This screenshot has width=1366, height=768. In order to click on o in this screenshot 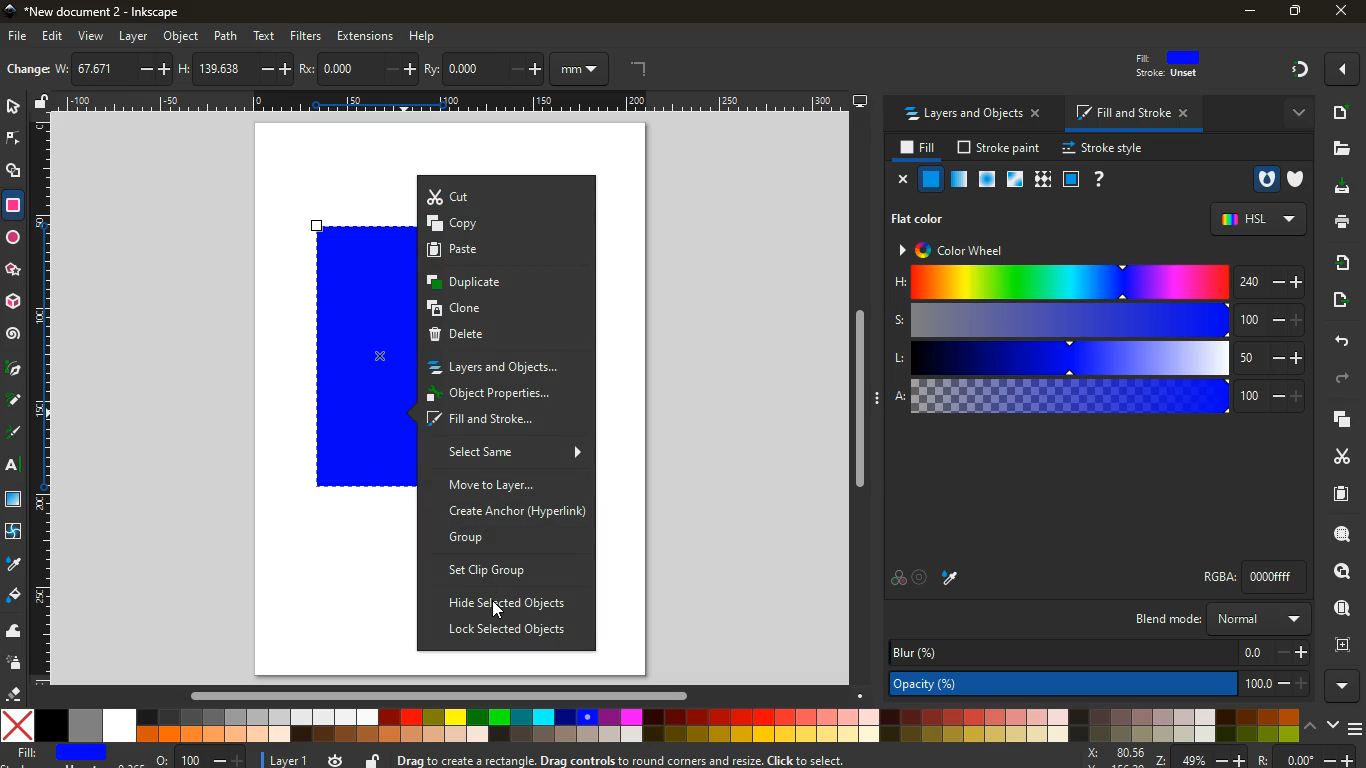, I will do `click(201, 758)`.